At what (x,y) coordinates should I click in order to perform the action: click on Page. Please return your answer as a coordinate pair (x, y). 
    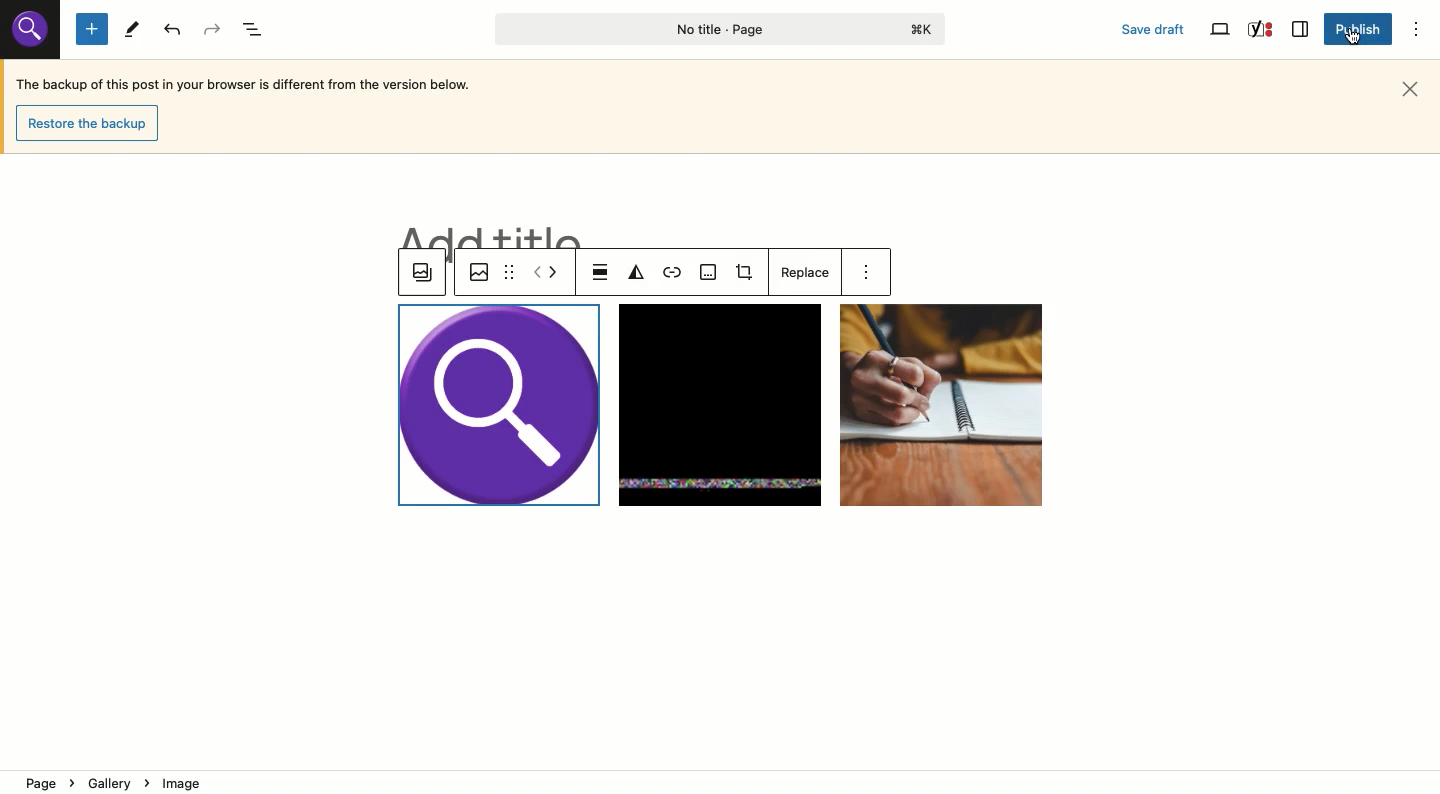
    Looking at the image, I should click on (714, 30).